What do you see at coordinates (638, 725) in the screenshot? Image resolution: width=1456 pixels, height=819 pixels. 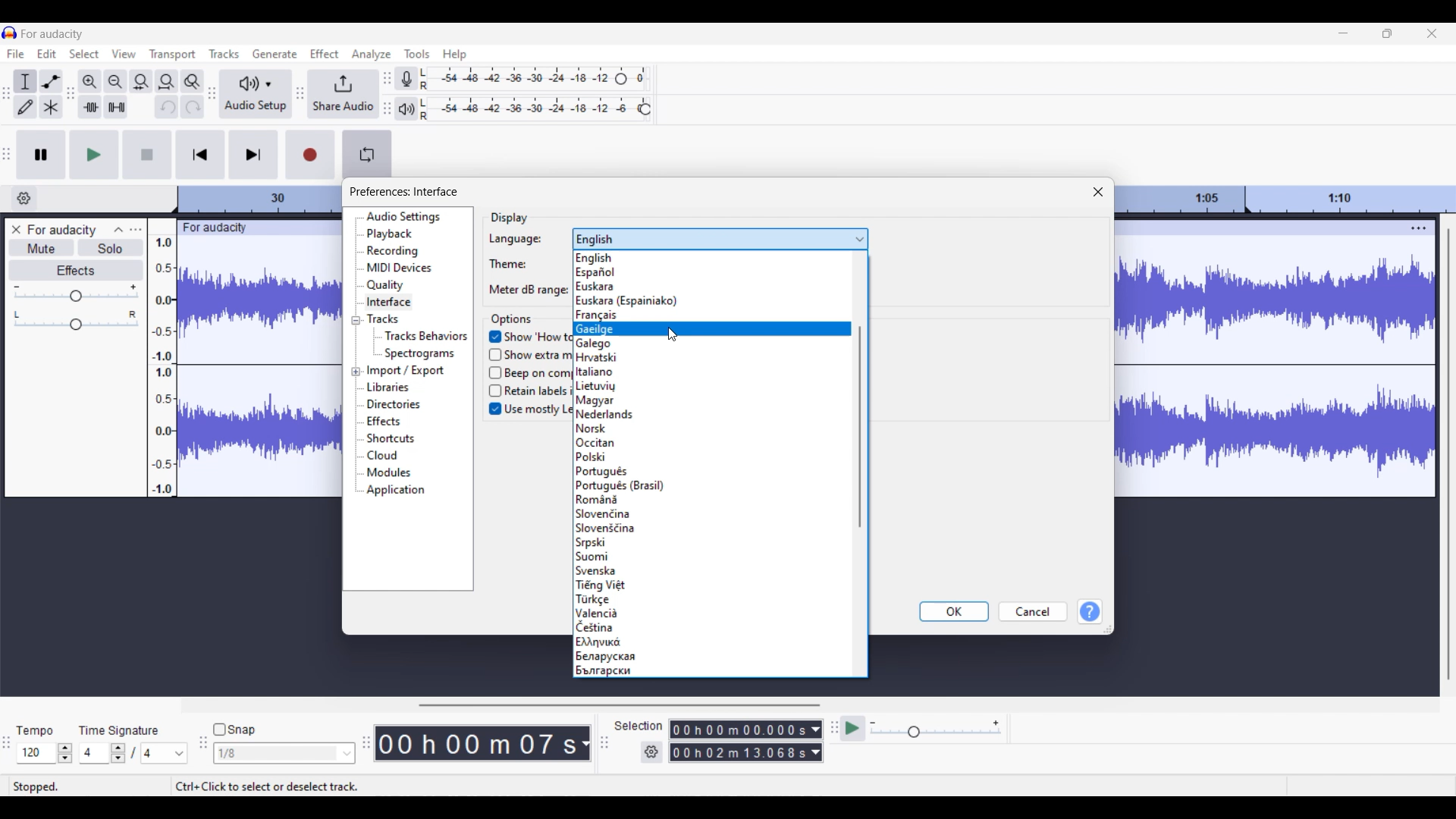 I see `selection` at bounding box center [638, 725].